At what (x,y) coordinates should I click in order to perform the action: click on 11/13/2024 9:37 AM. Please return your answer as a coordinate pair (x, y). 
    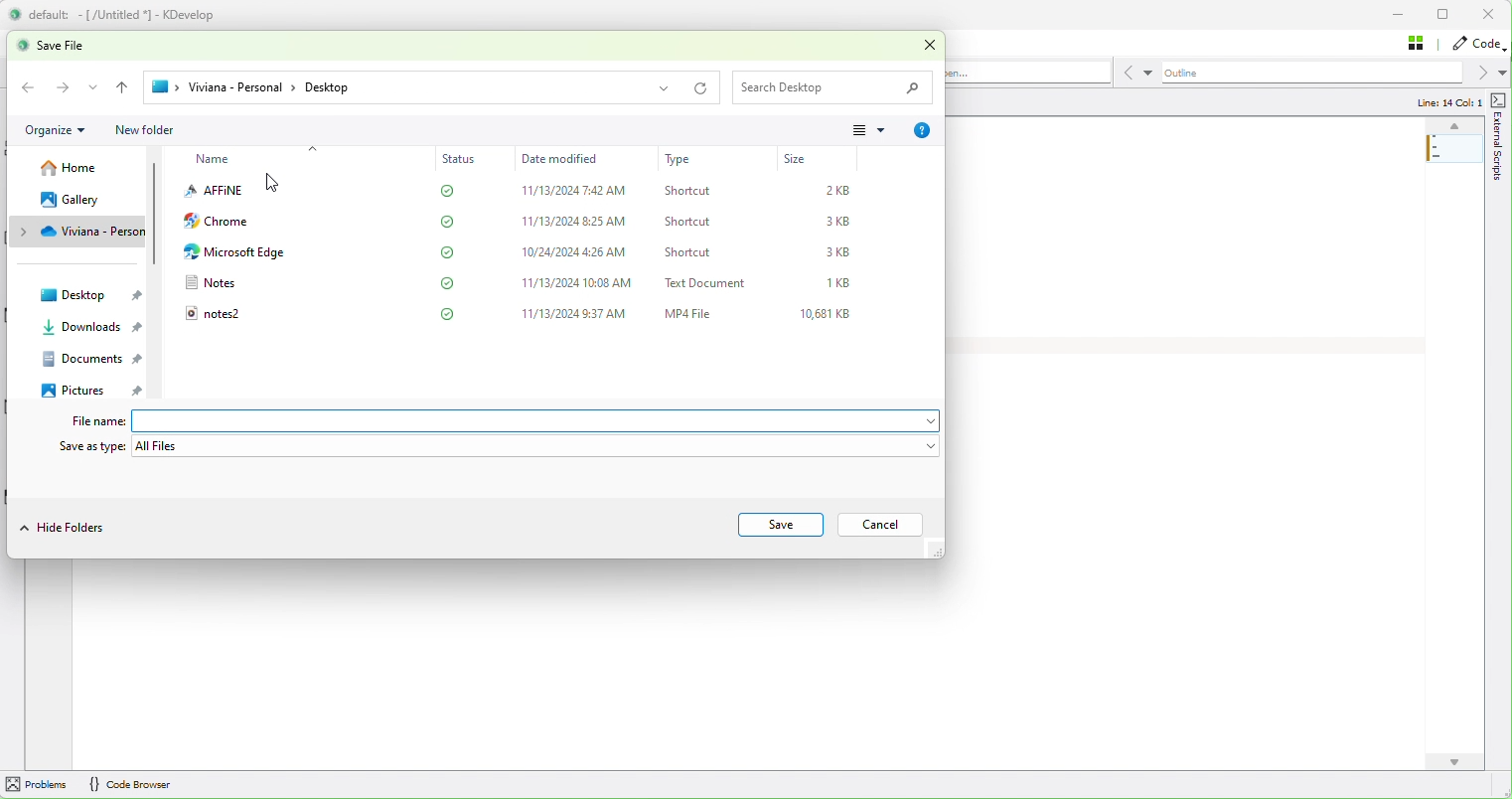
    Looking at the image, I should click on (577, 314).